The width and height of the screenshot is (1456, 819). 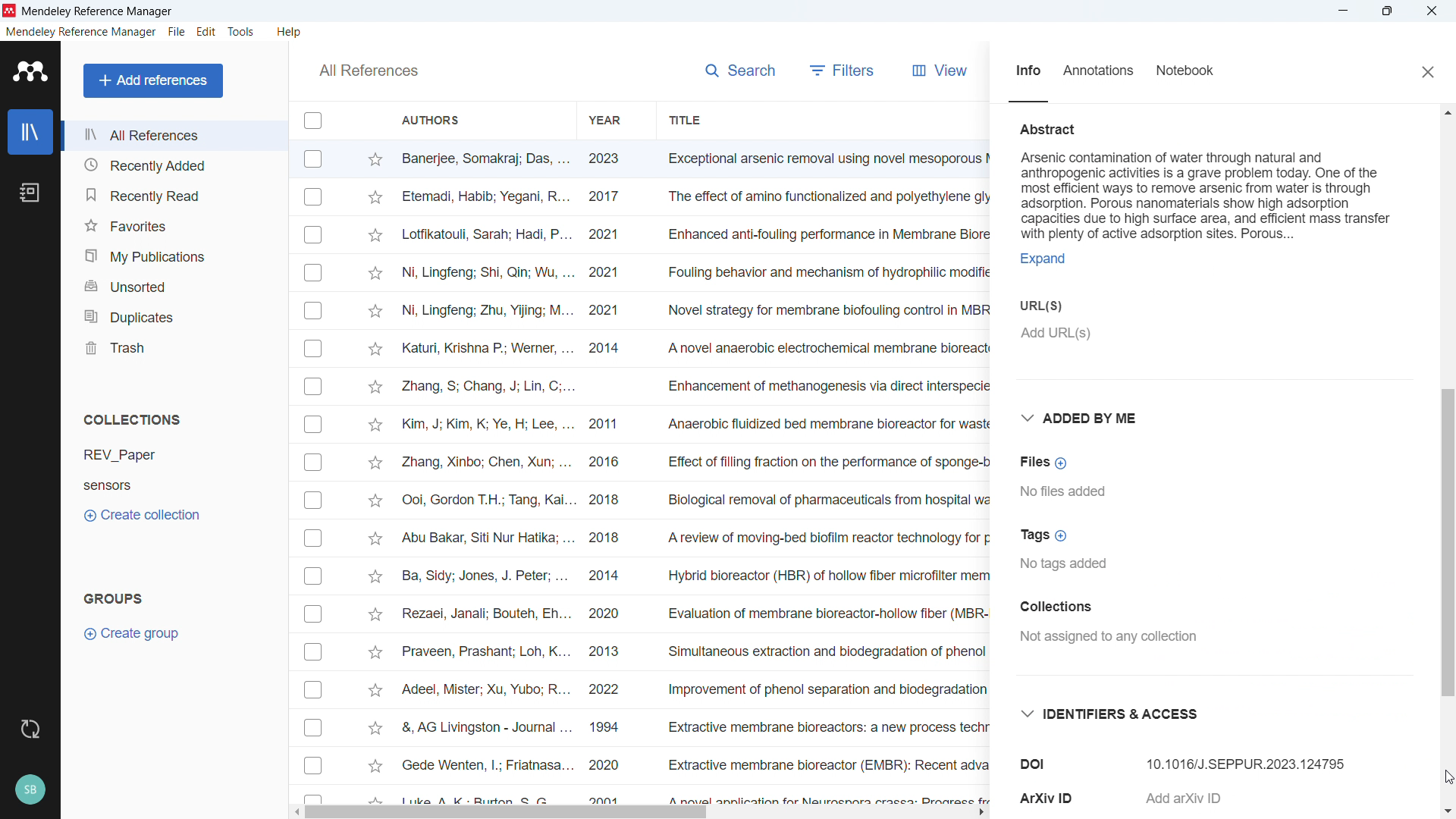 What do you see at coordinates (1046, 463) in the screenshot?
I see `Add files ` at bounding box center [1046, 463].